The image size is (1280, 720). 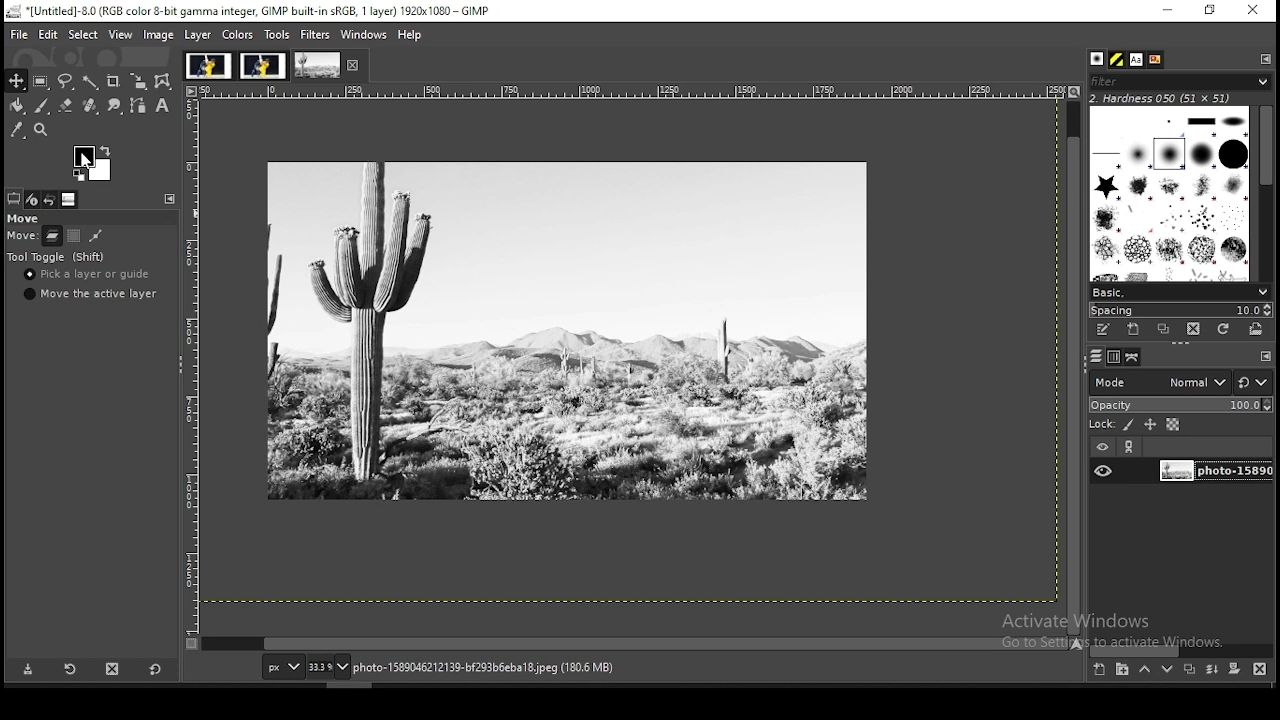 What do you see at coordinates (189, 359) in the screenshot?
I see `scale` at bounding box center [189, 359].